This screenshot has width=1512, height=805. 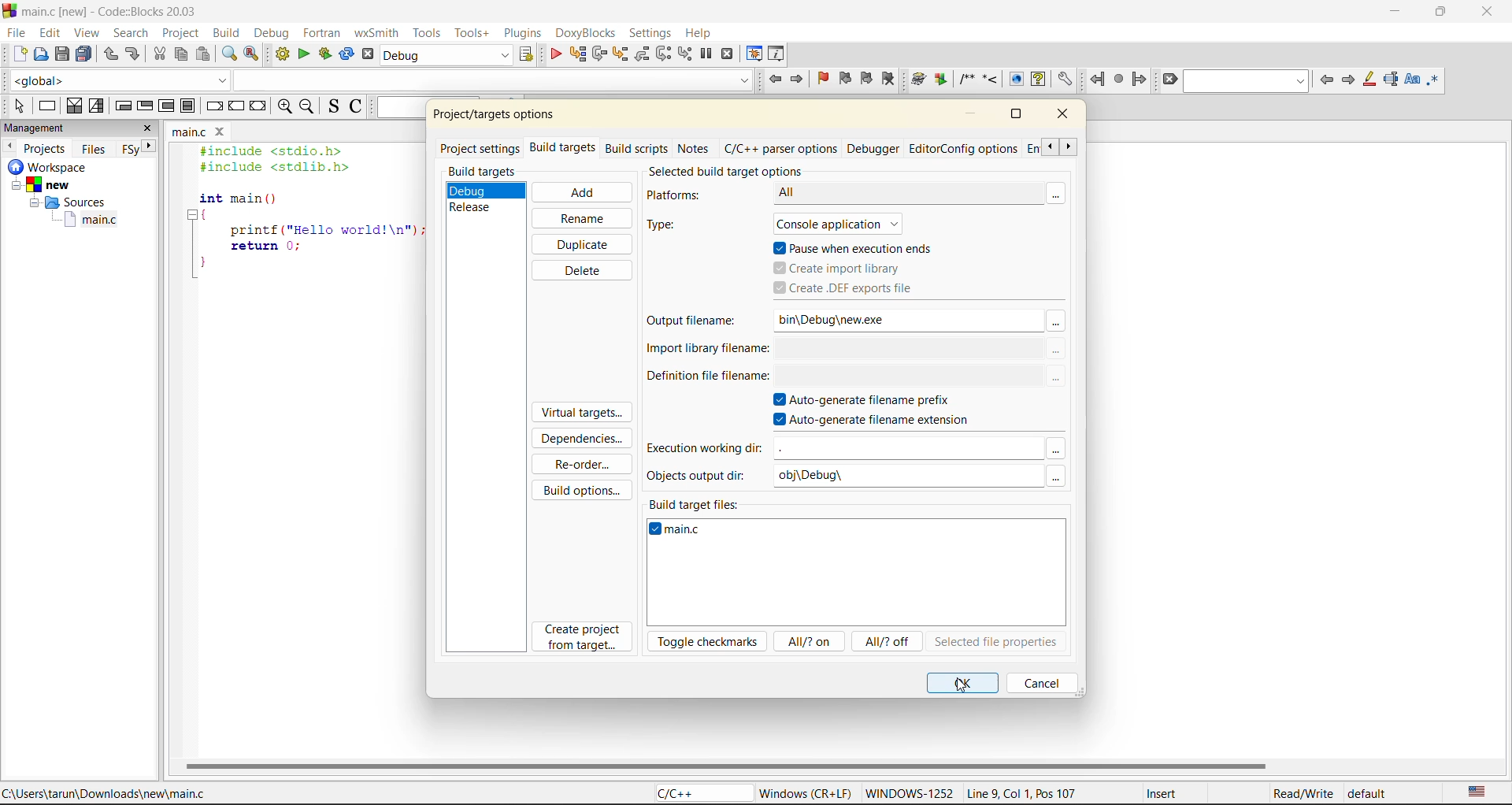 What do you see at coordinates (683, 196) in the screenshot?
I see `platforms` at bounding box center [683, 196].